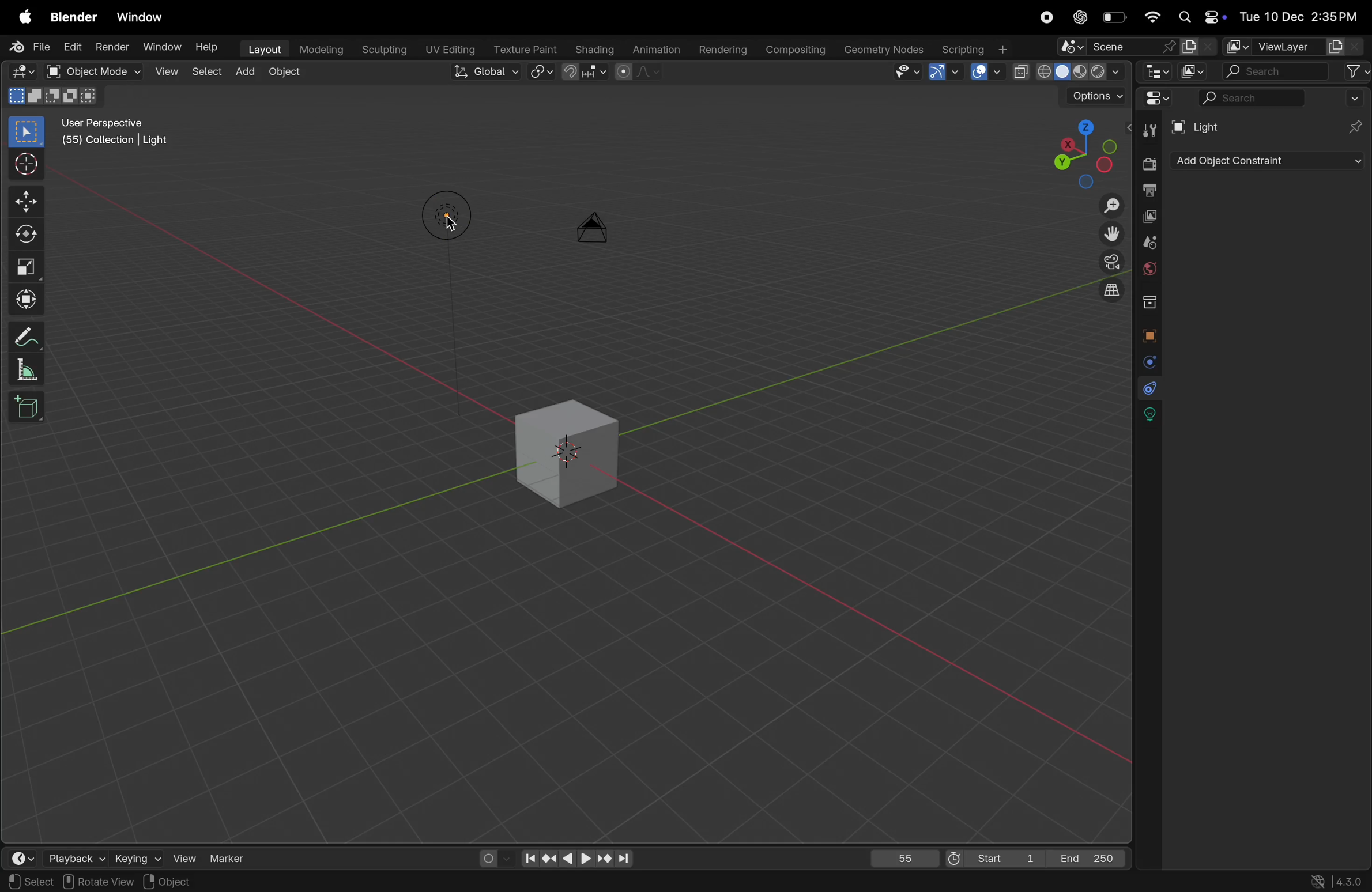 The image size is (1372, 892). What do you see at coordinates (1148, 161) in the screenshot?
I see `render` at bounding box center [1148, 161].